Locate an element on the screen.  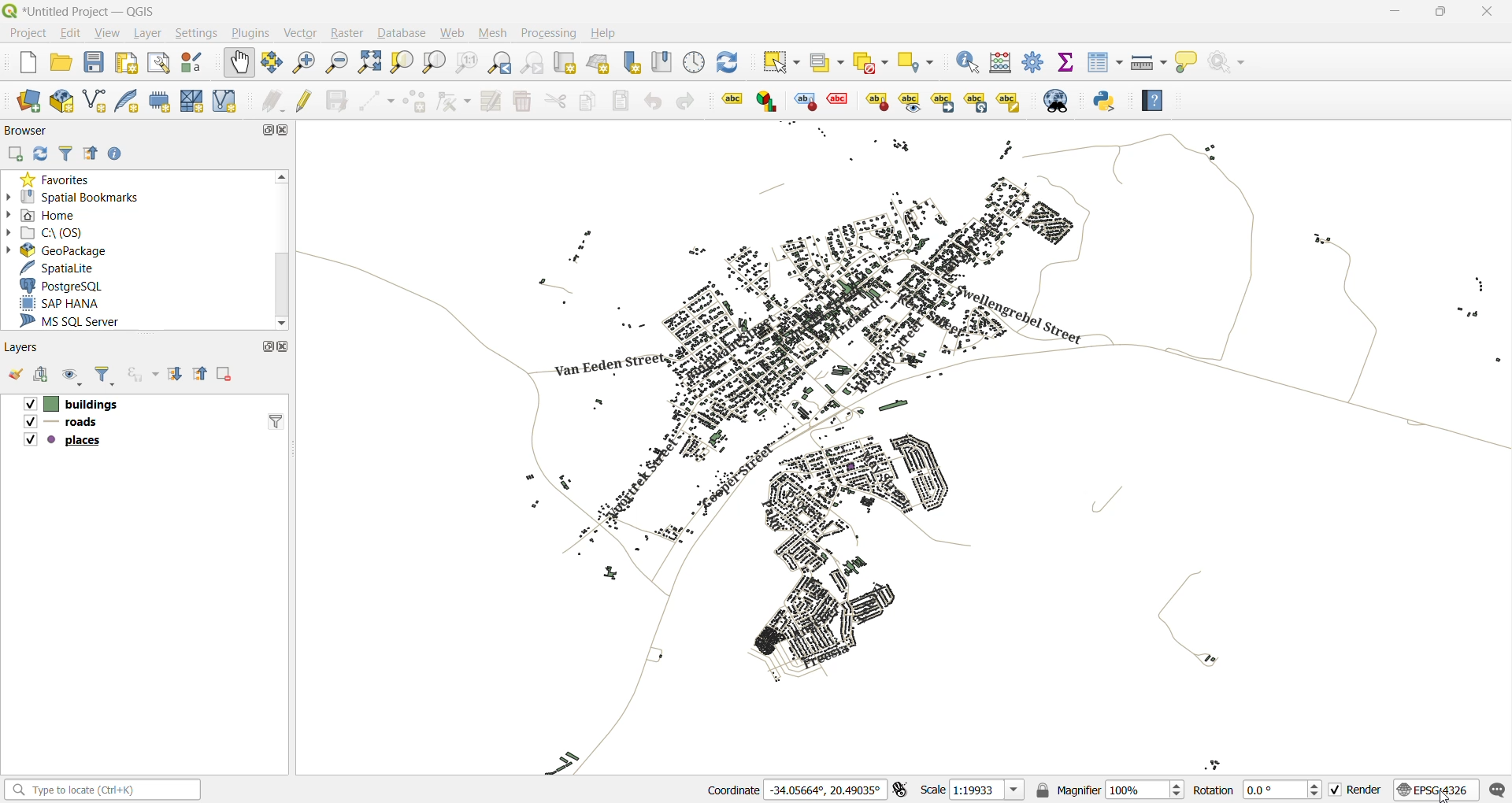
close is located at coordinates (285, 346).